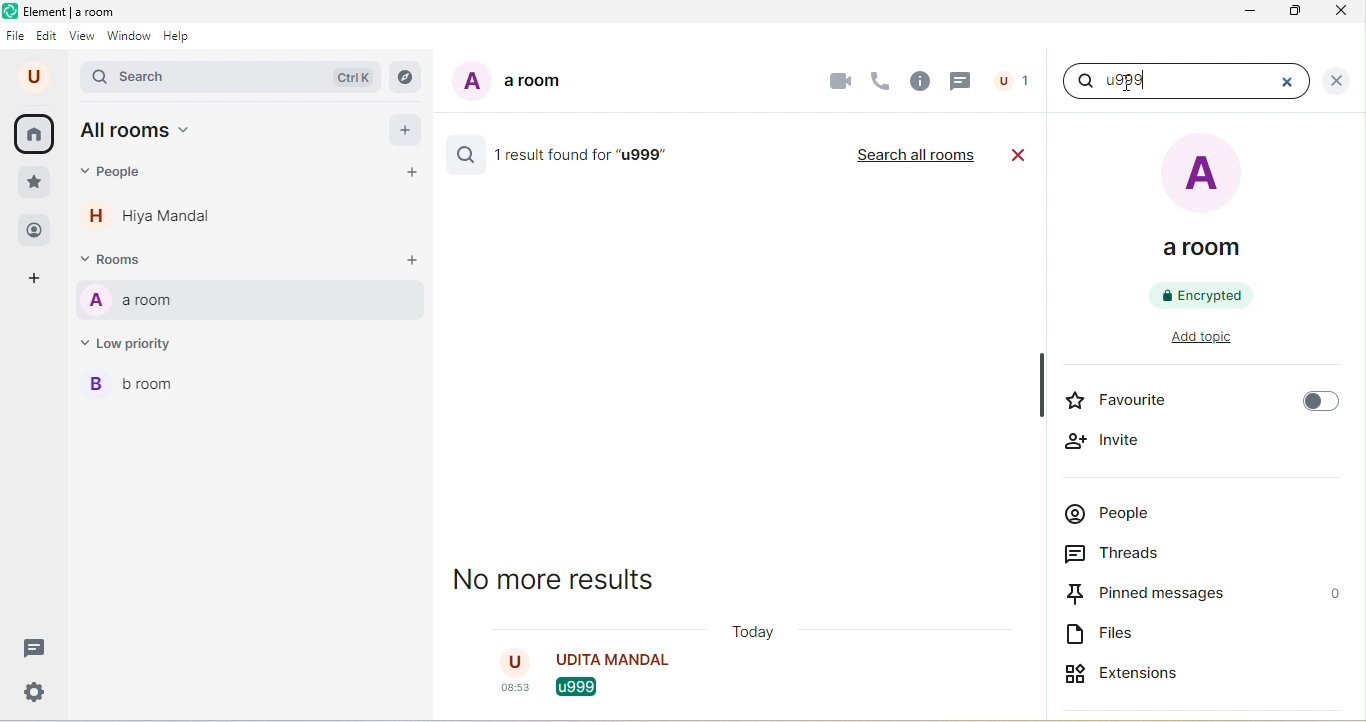 The height and width of the screenshot is (722, 1366). Describe the element at coordinates (31, 647) in the screenshot. I see `threads` at that location.